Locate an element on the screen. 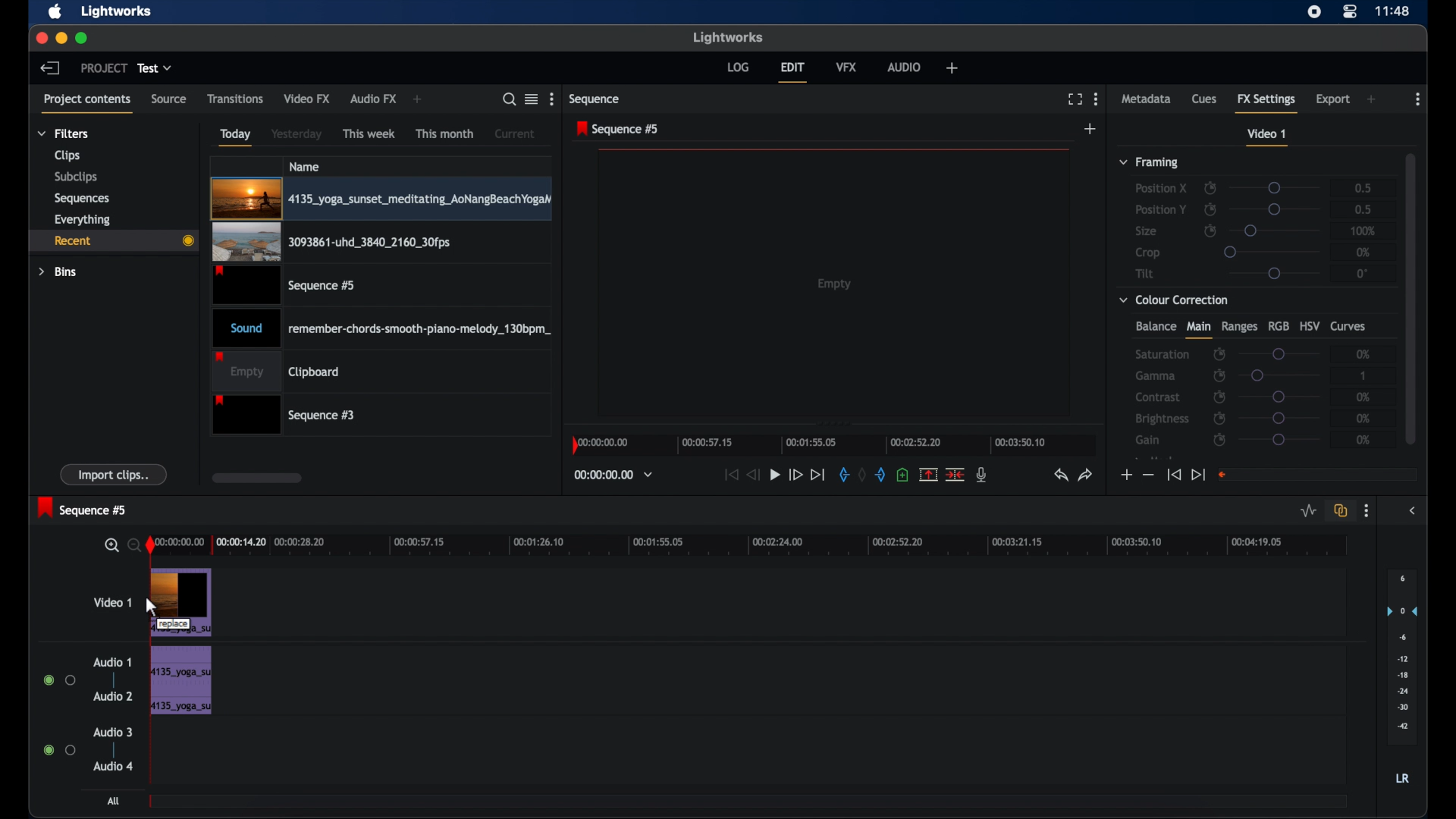 This screenshot has height=819, width=1456. empty field is located at coordinates (1318, 474).